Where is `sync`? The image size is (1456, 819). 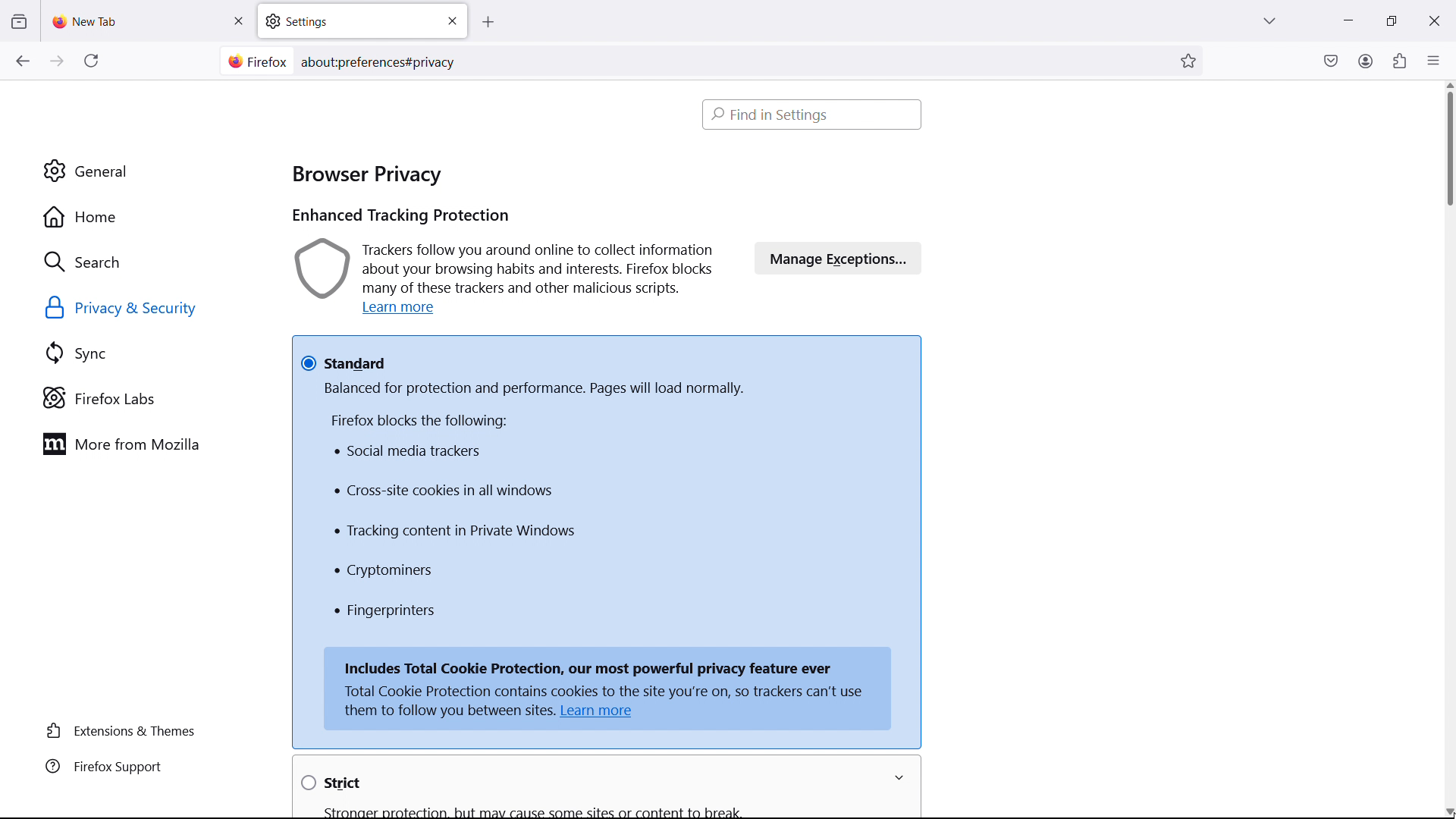 sync is located at coordinates (149, 353).